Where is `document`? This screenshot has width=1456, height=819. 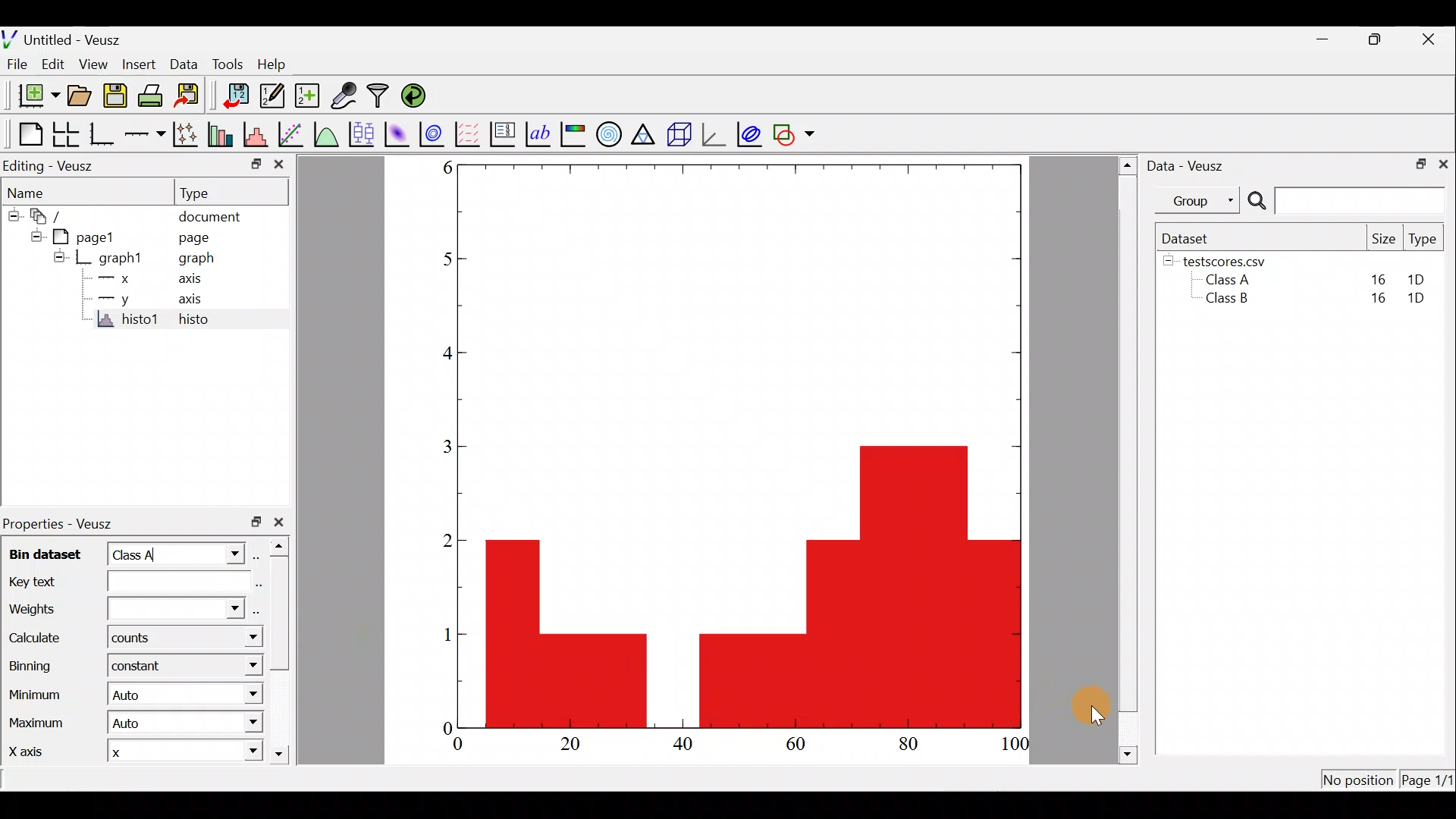 document is located at coordinates (218, 217).